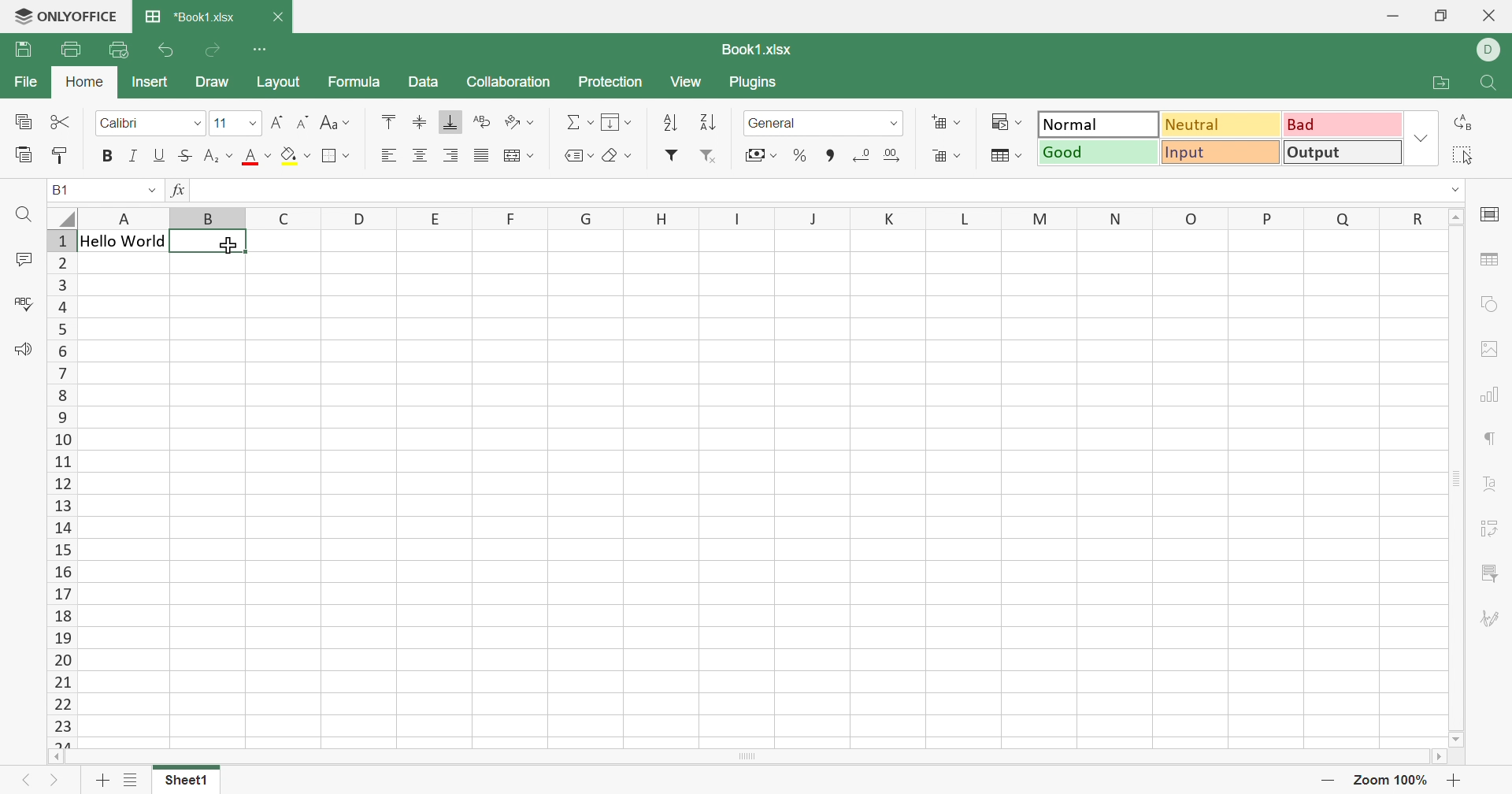  Describe the element at coordinates (899, 123) in the screenshot. I see `Drop down` at that location.